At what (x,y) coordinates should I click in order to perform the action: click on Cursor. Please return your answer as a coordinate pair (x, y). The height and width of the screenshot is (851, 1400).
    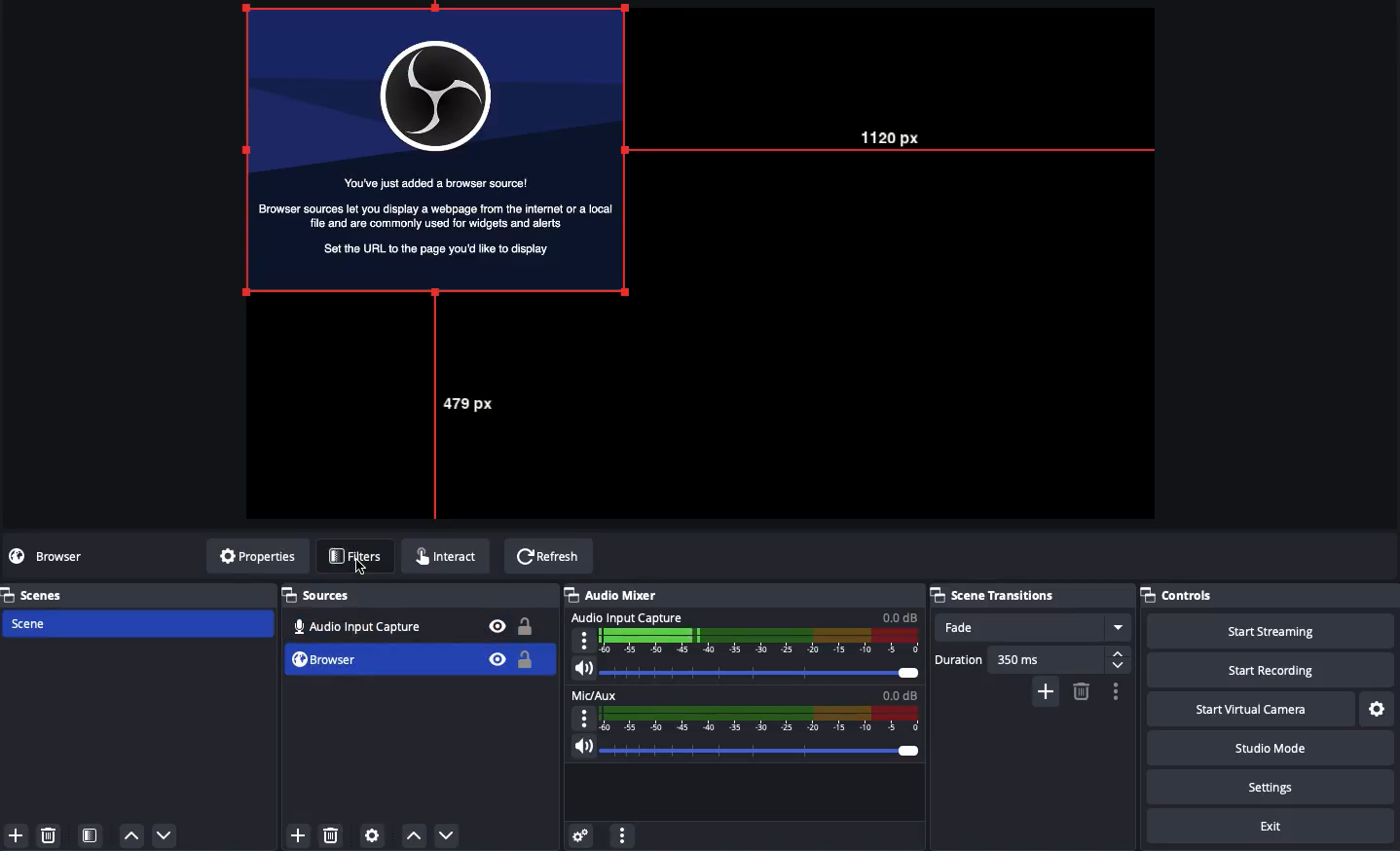
    Looking at the image, I should click on (361, 568).